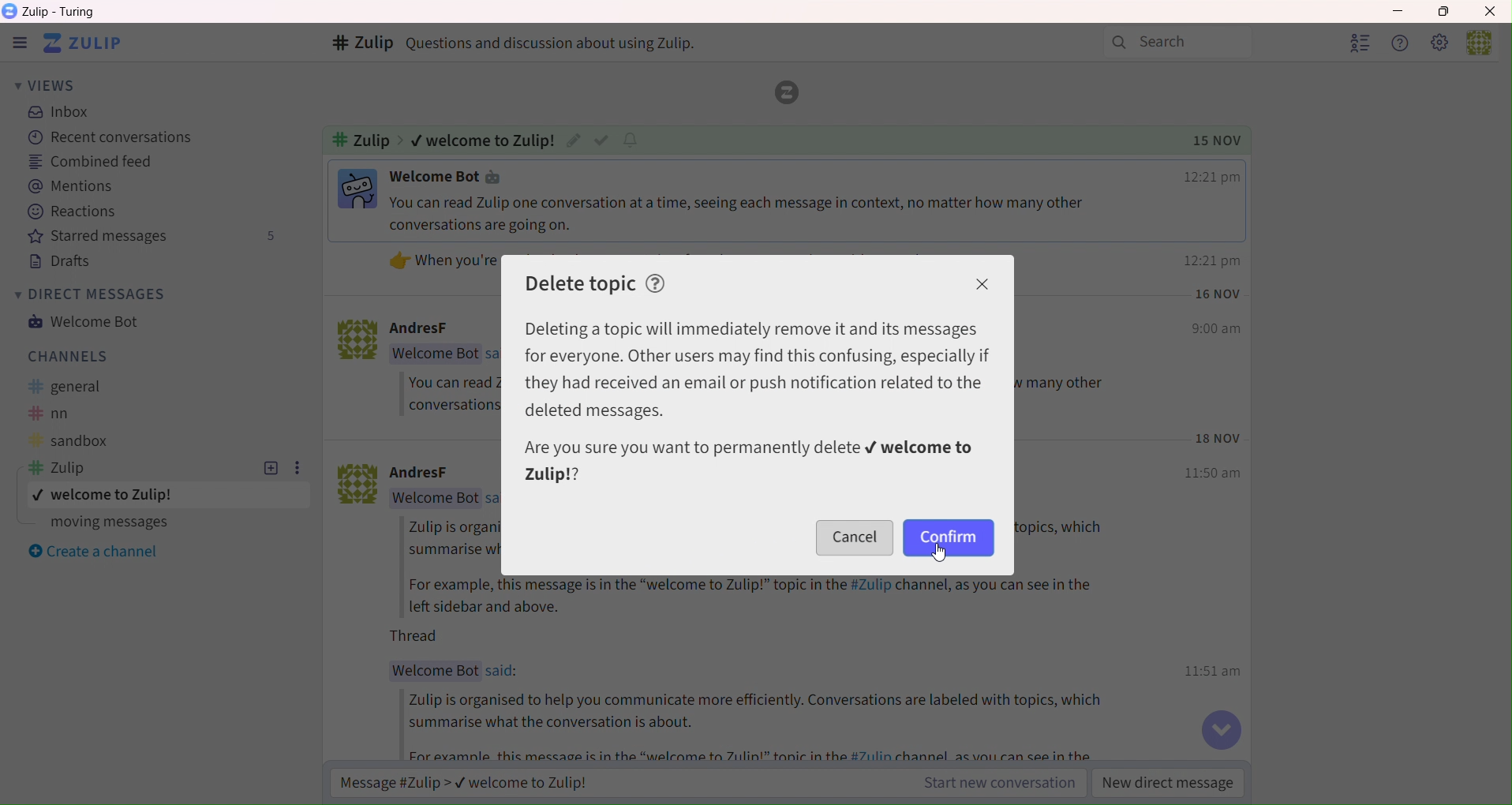  I want to click on Combined Feed, so click(88, 162).